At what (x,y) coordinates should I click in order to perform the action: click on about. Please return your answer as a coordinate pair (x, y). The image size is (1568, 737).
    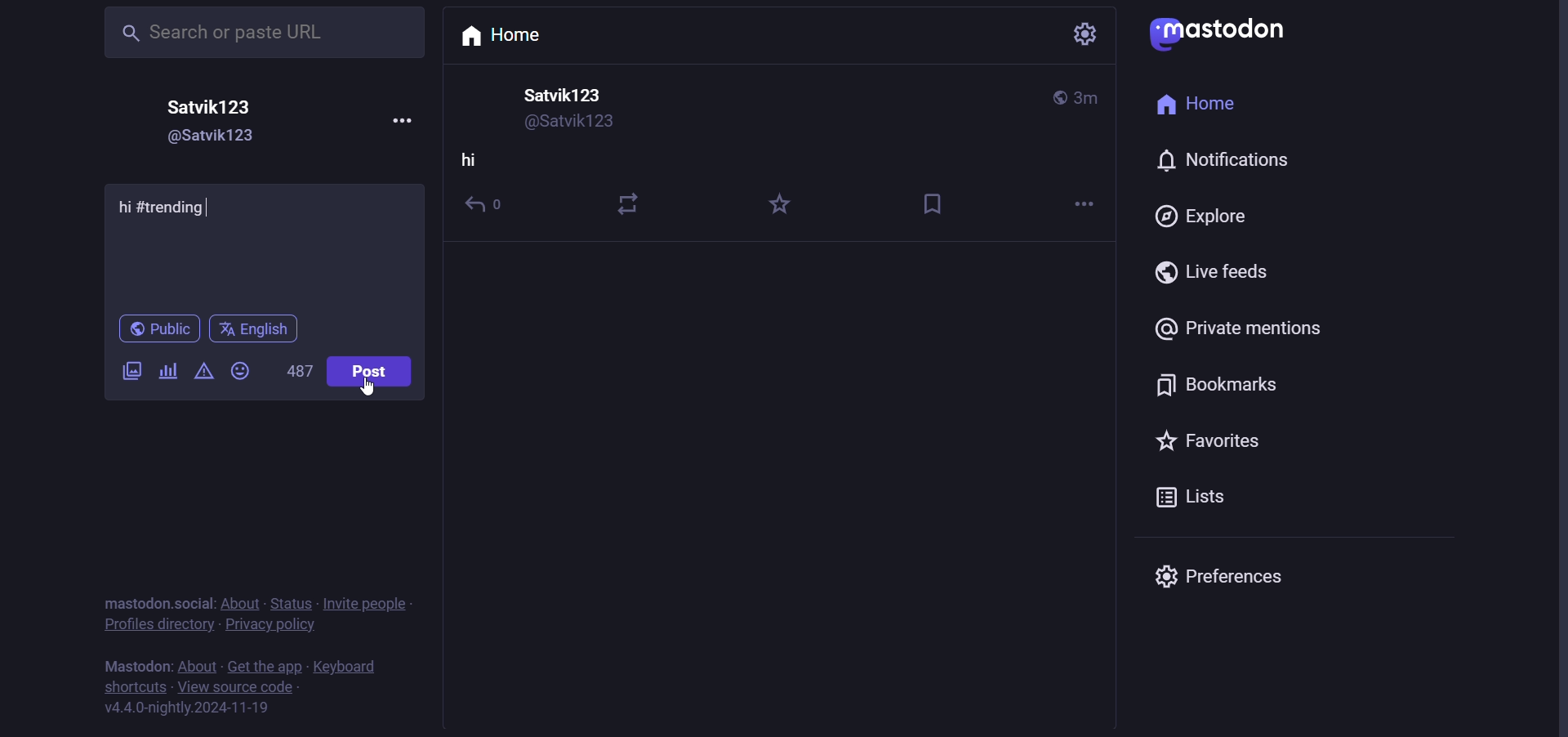
    Looking at the image, I should click on (238, 604).